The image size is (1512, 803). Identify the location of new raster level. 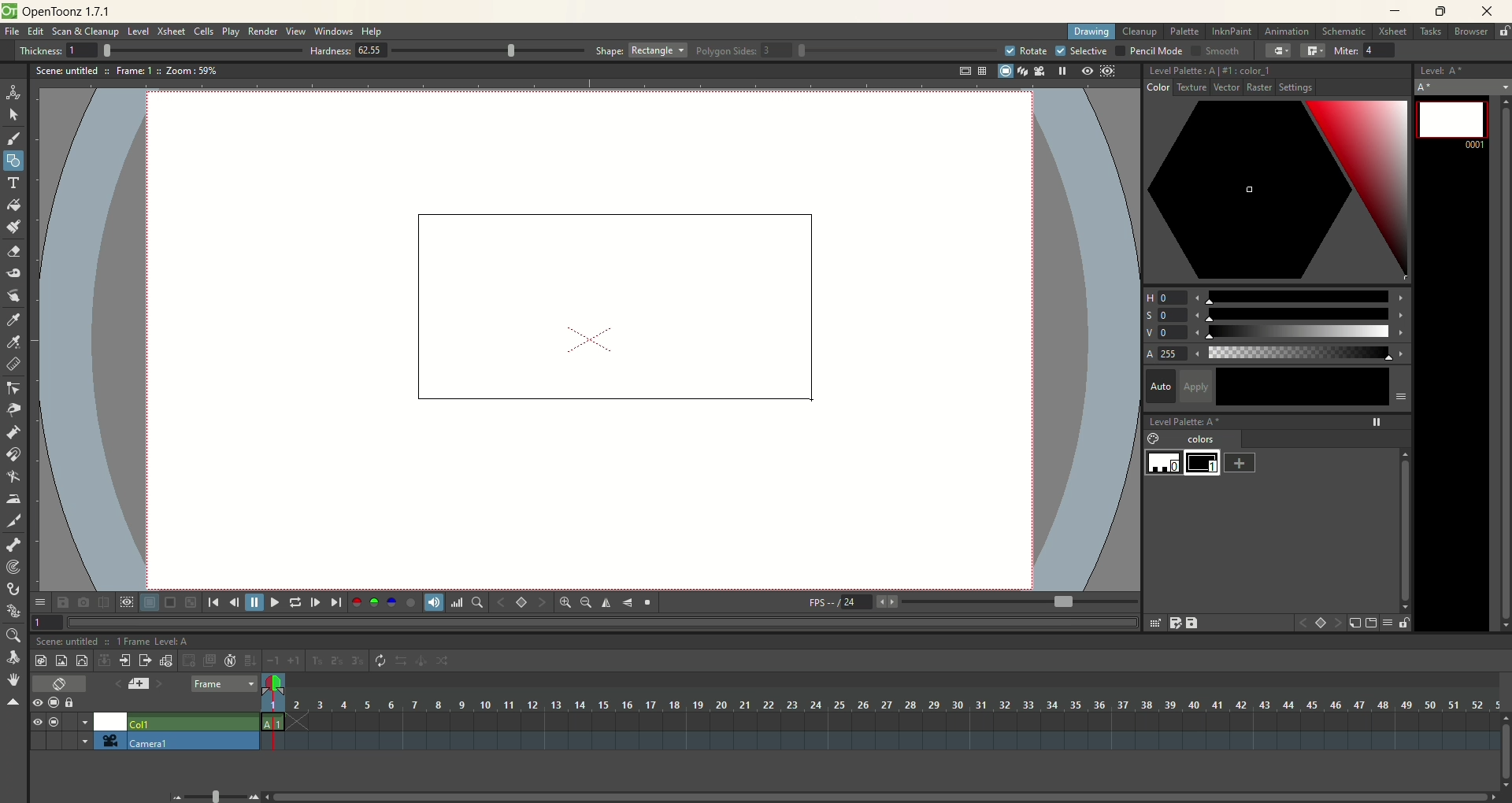
(61, 660).